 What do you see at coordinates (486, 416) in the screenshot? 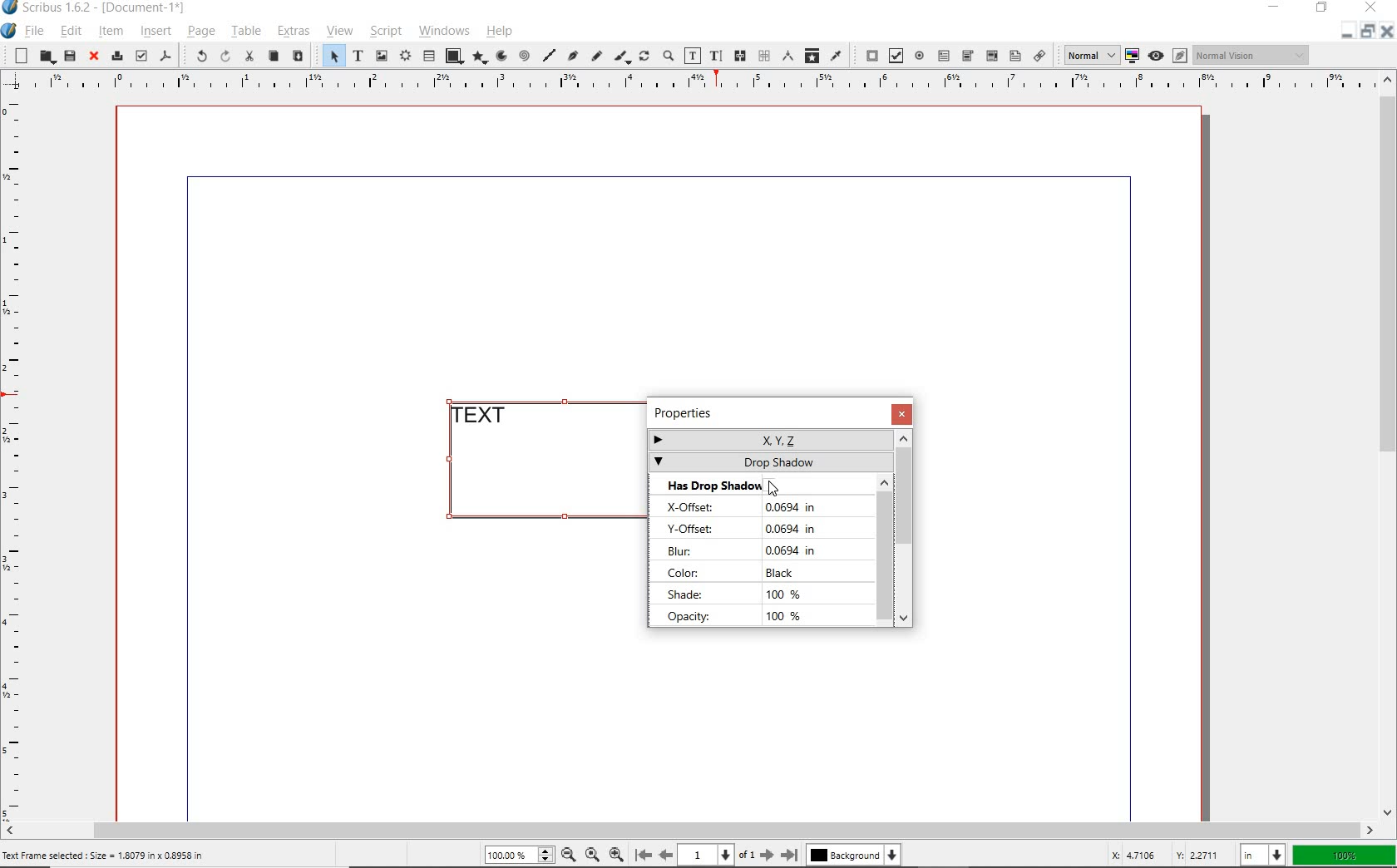
I see `TEXT` at bounding box center [486, 416].